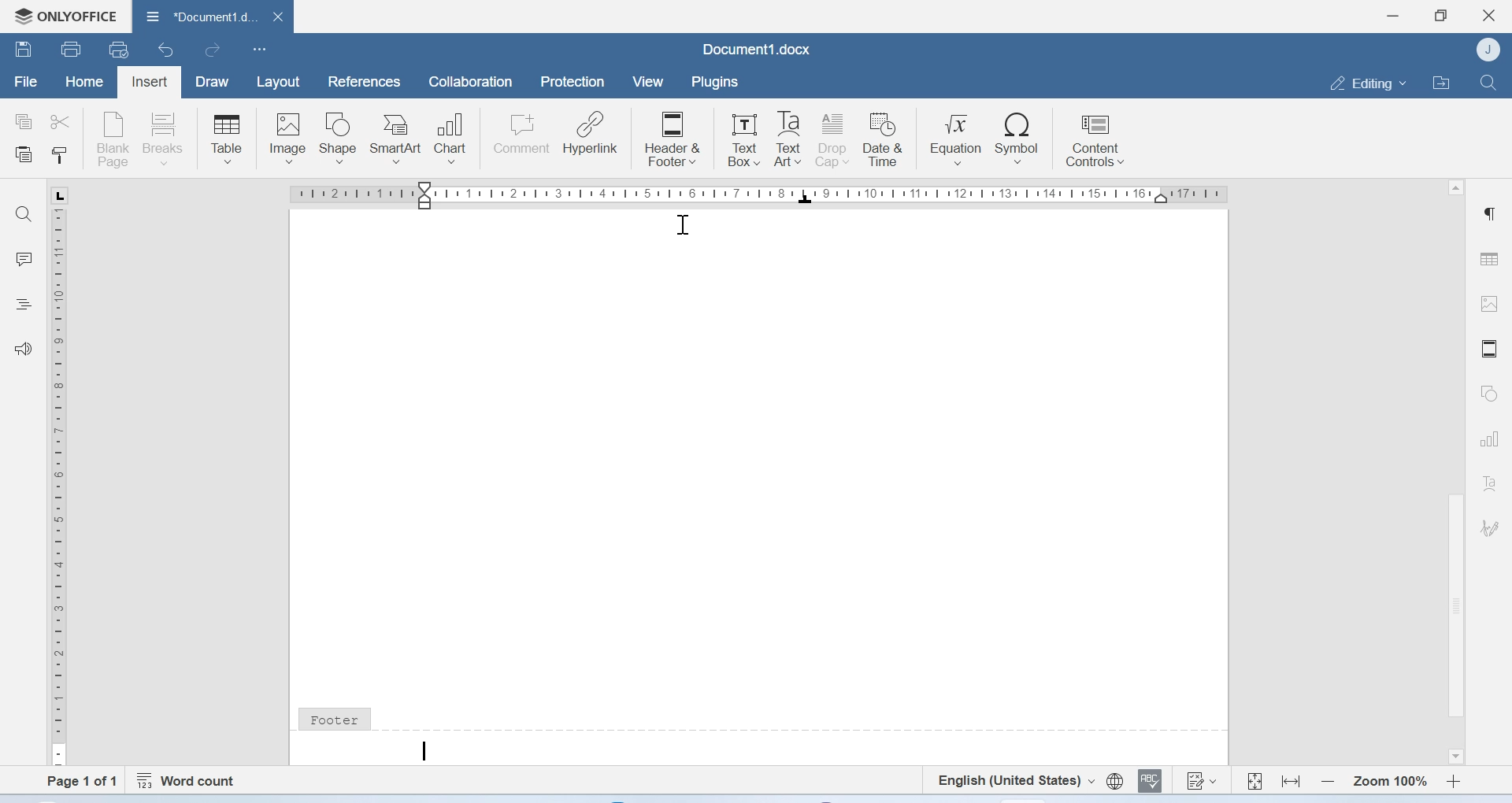 This screenshot has width=1512, height=803. I want to click on Track changes, so click(1203, 783).